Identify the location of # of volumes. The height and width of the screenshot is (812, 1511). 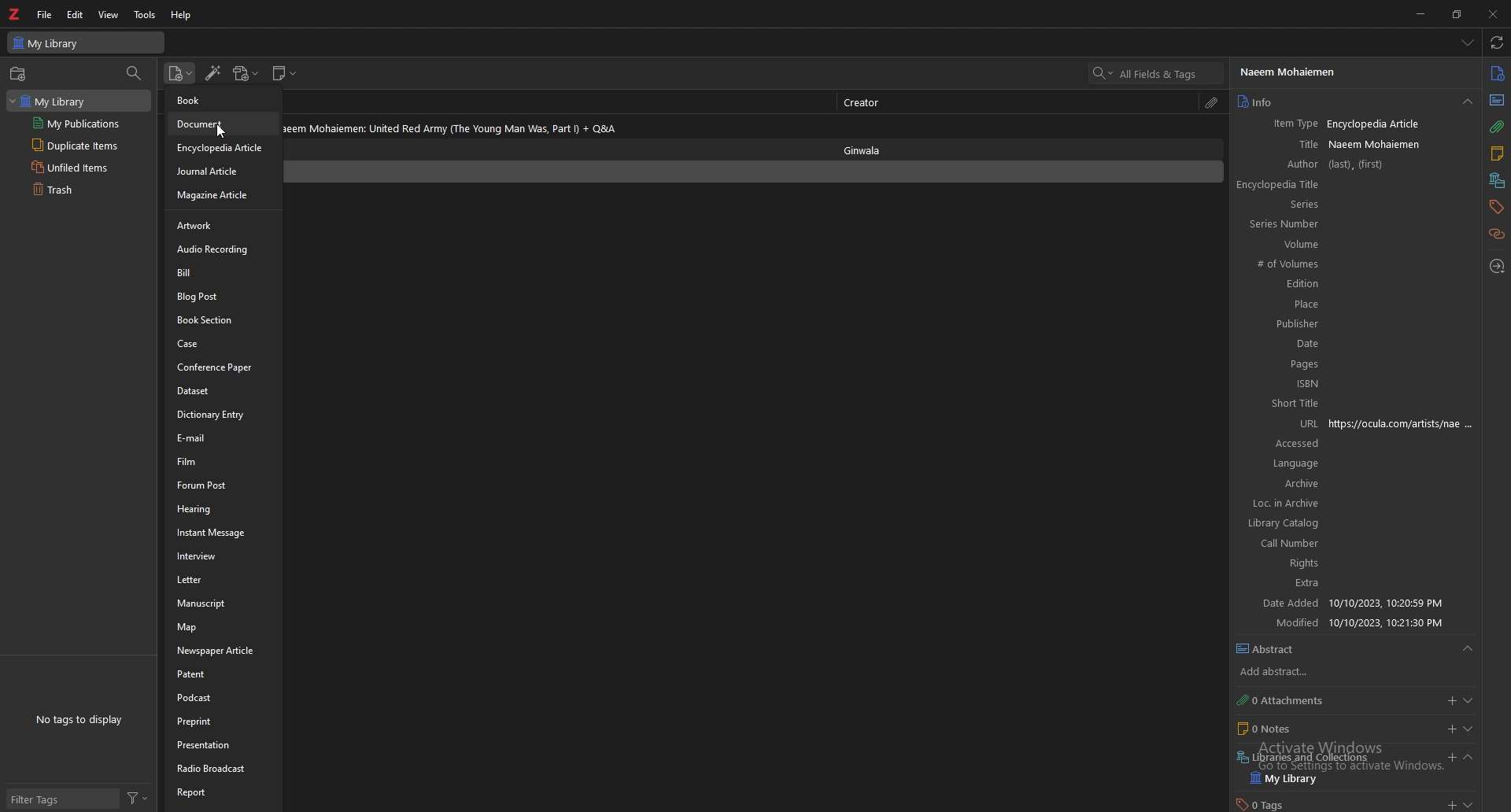
(1277, 264).